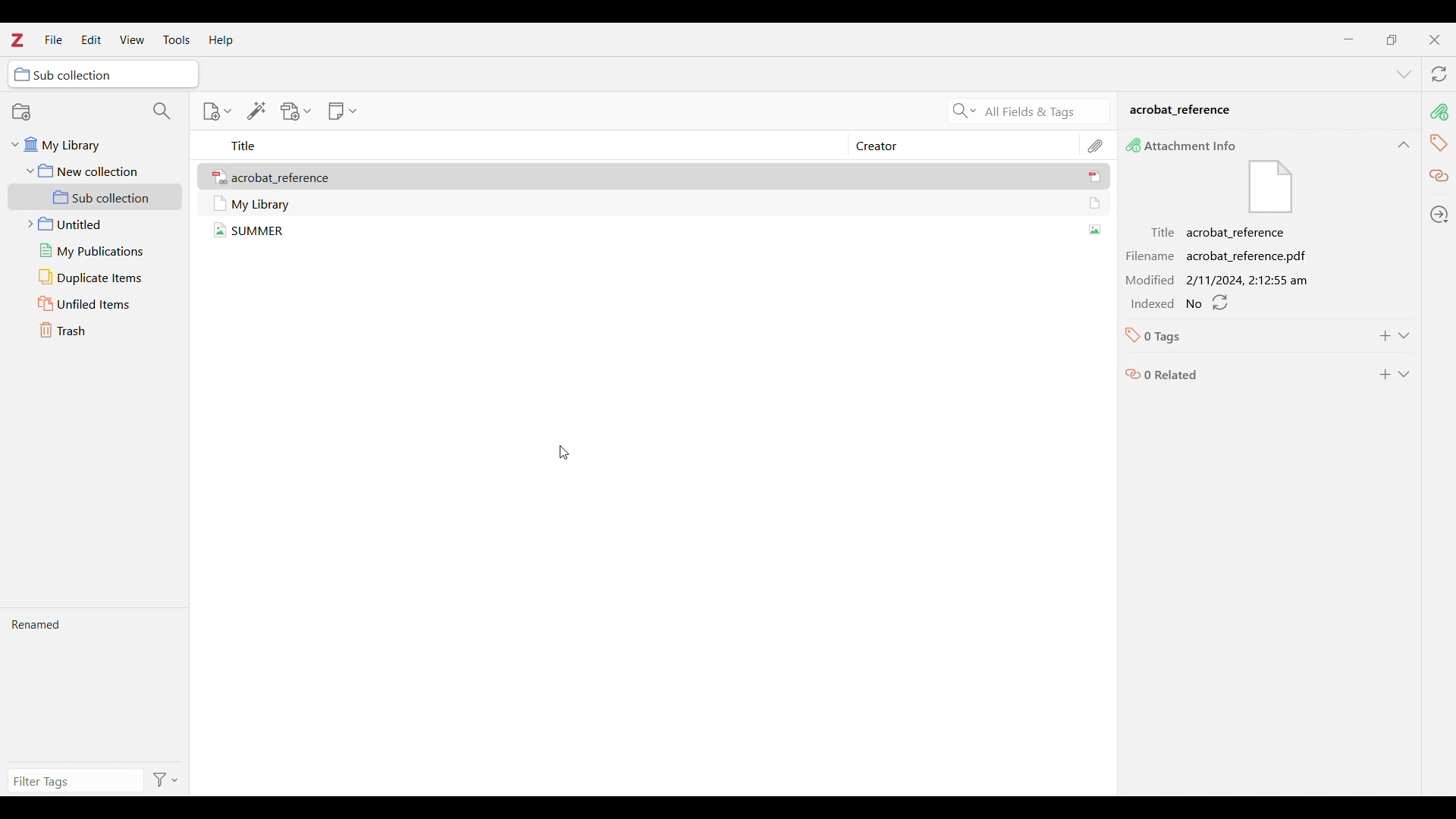 Image resolution: width=1456 pixels, height=819 pixels. What do you see at coordinates (96, 197) in the screenshot?
I see `Sub collection folder highlighted` at bounding box center [96, 197].